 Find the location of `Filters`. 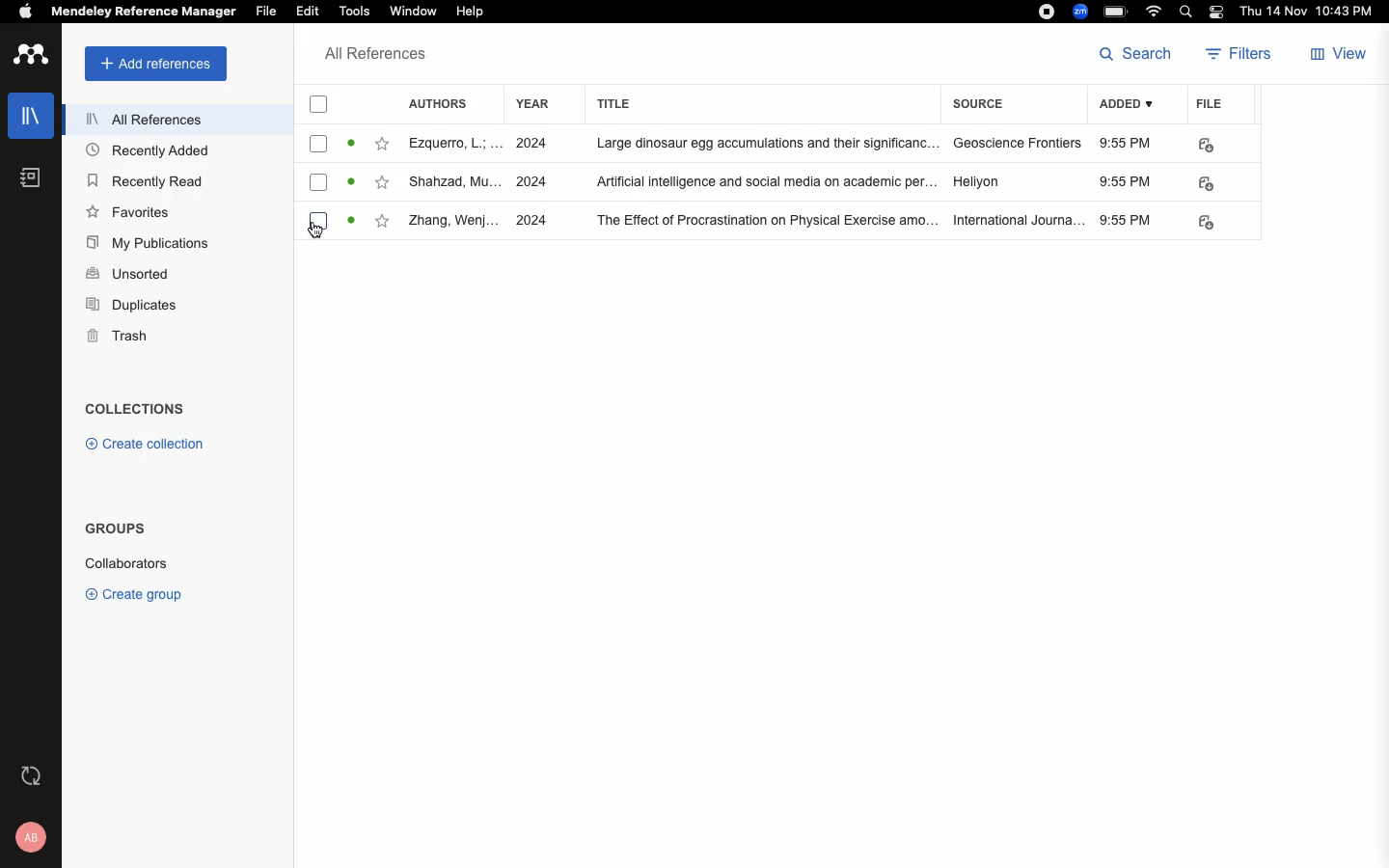

Filters is located at coordinates (1240, 56).